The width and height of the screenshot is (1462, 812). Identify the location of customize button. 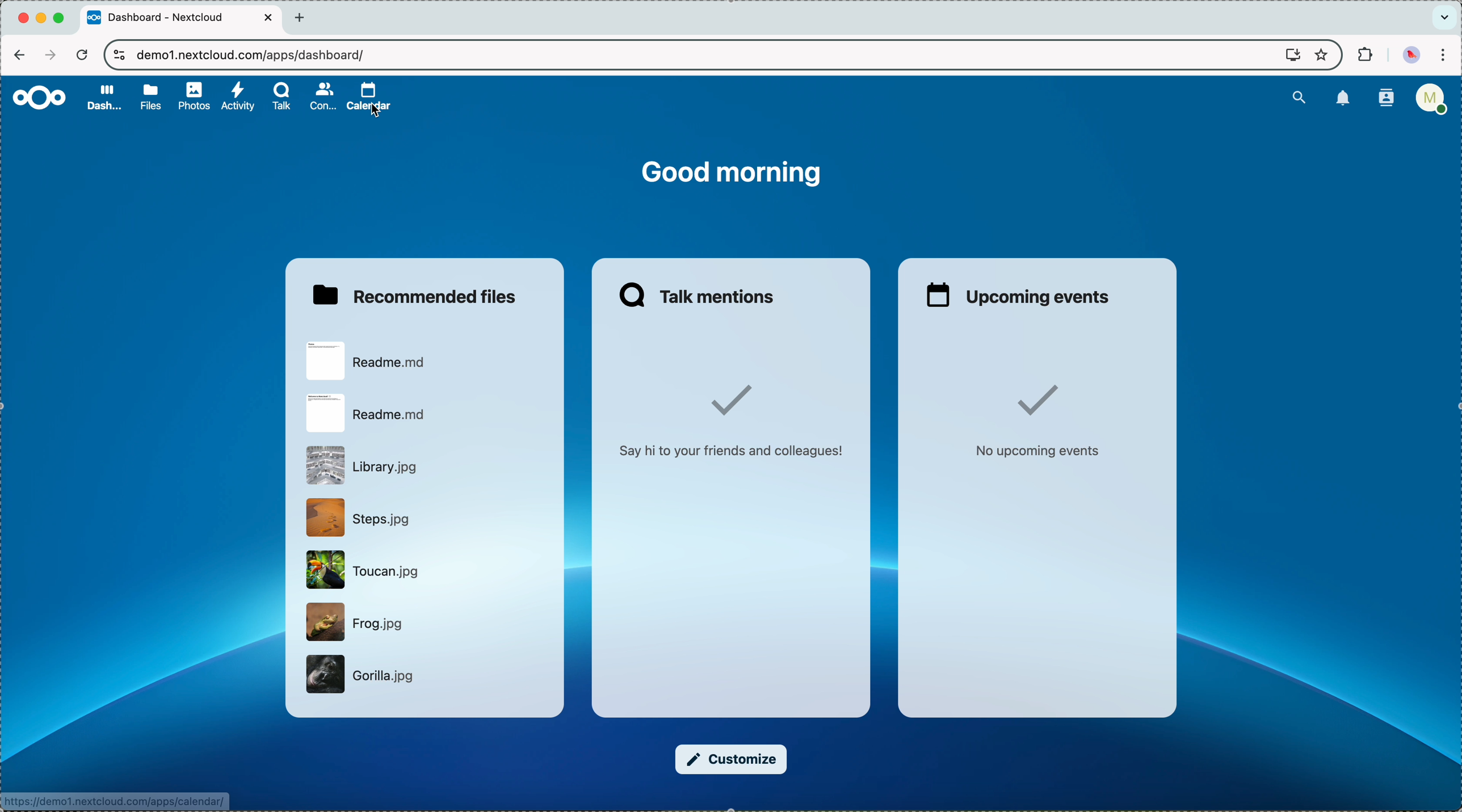
(732, 759).